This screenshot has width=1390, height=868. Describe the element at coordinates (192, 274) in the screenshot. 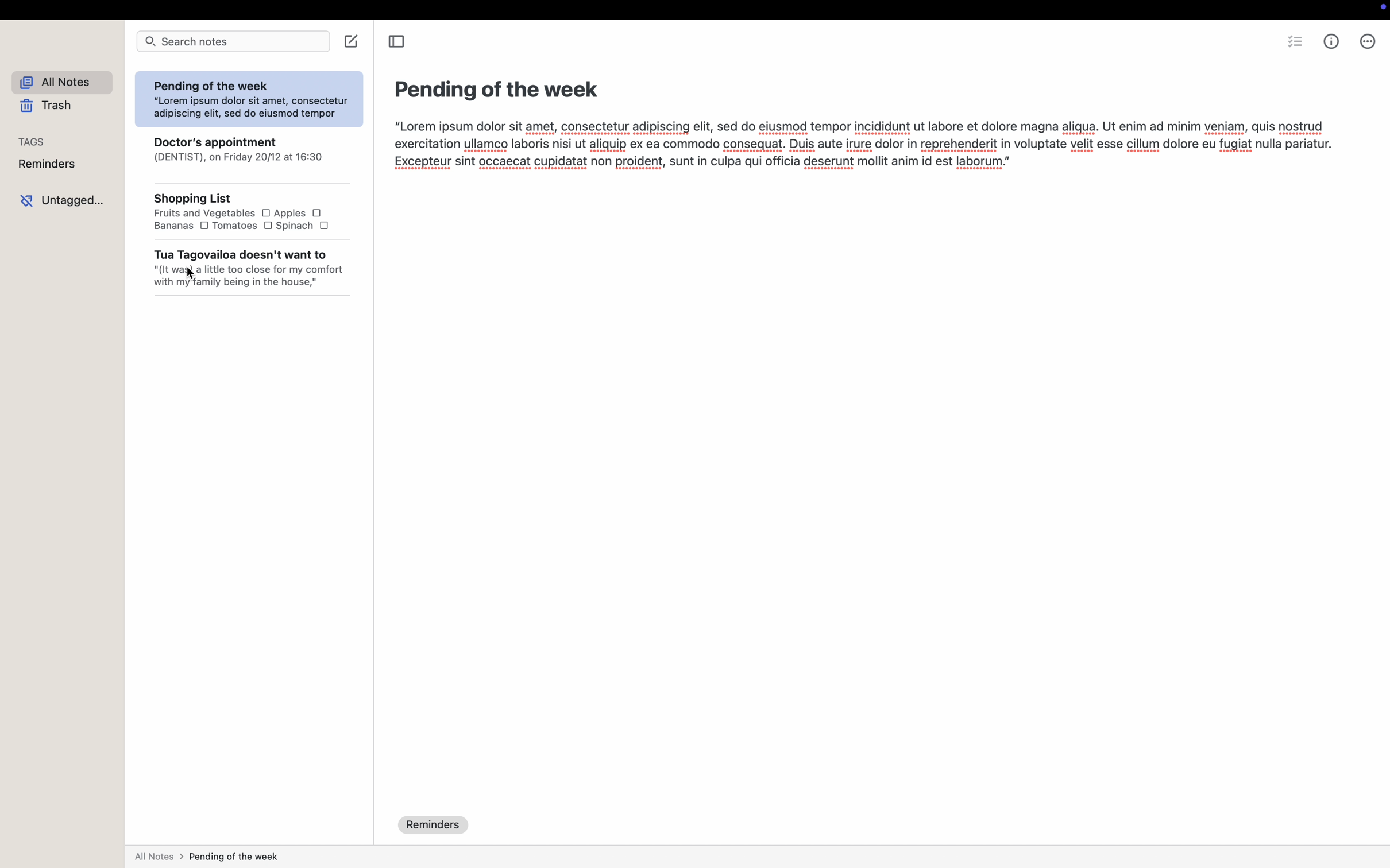

I see `cursor` at that location.